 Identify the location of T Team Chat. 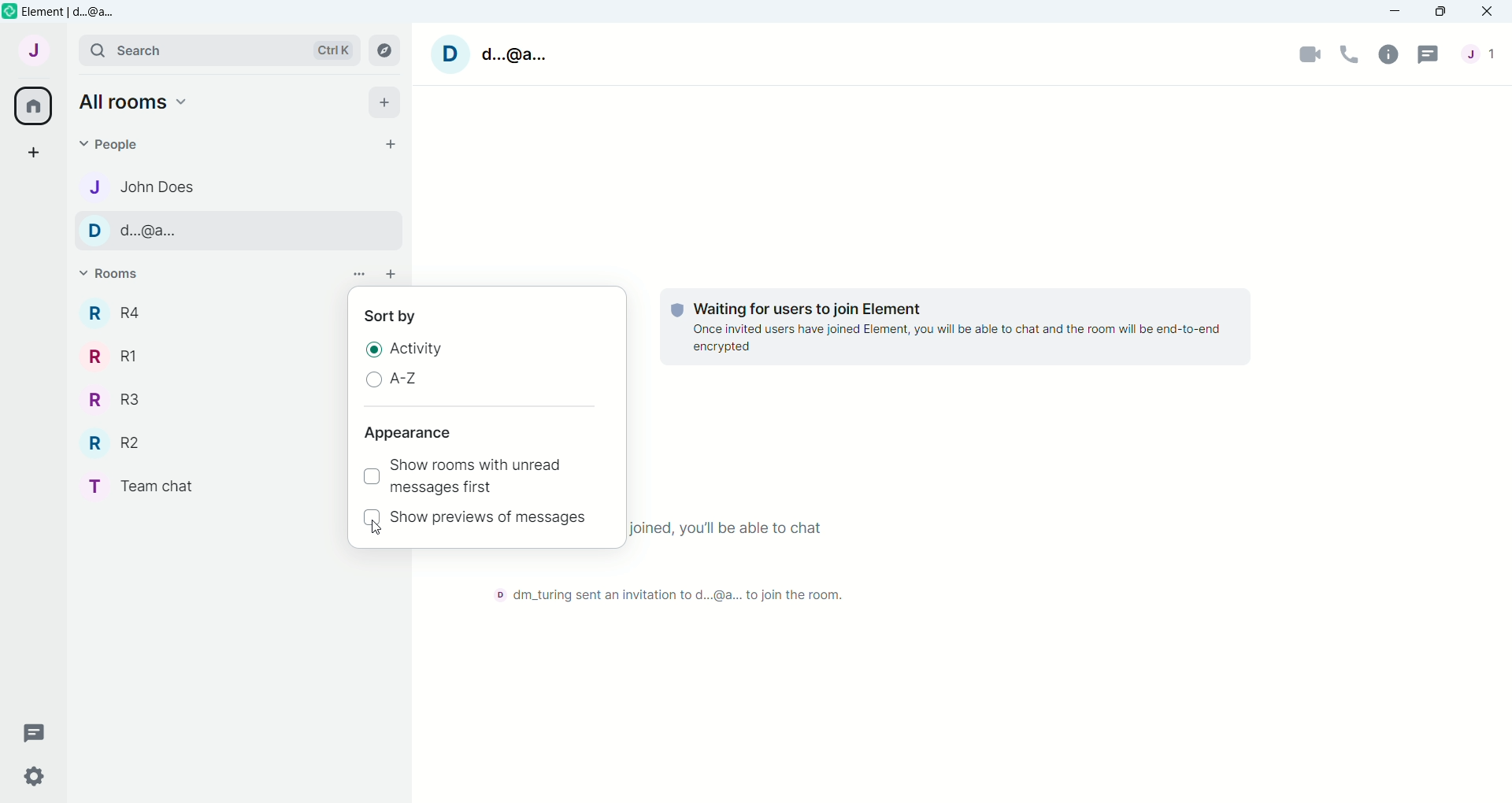
(153, 485).